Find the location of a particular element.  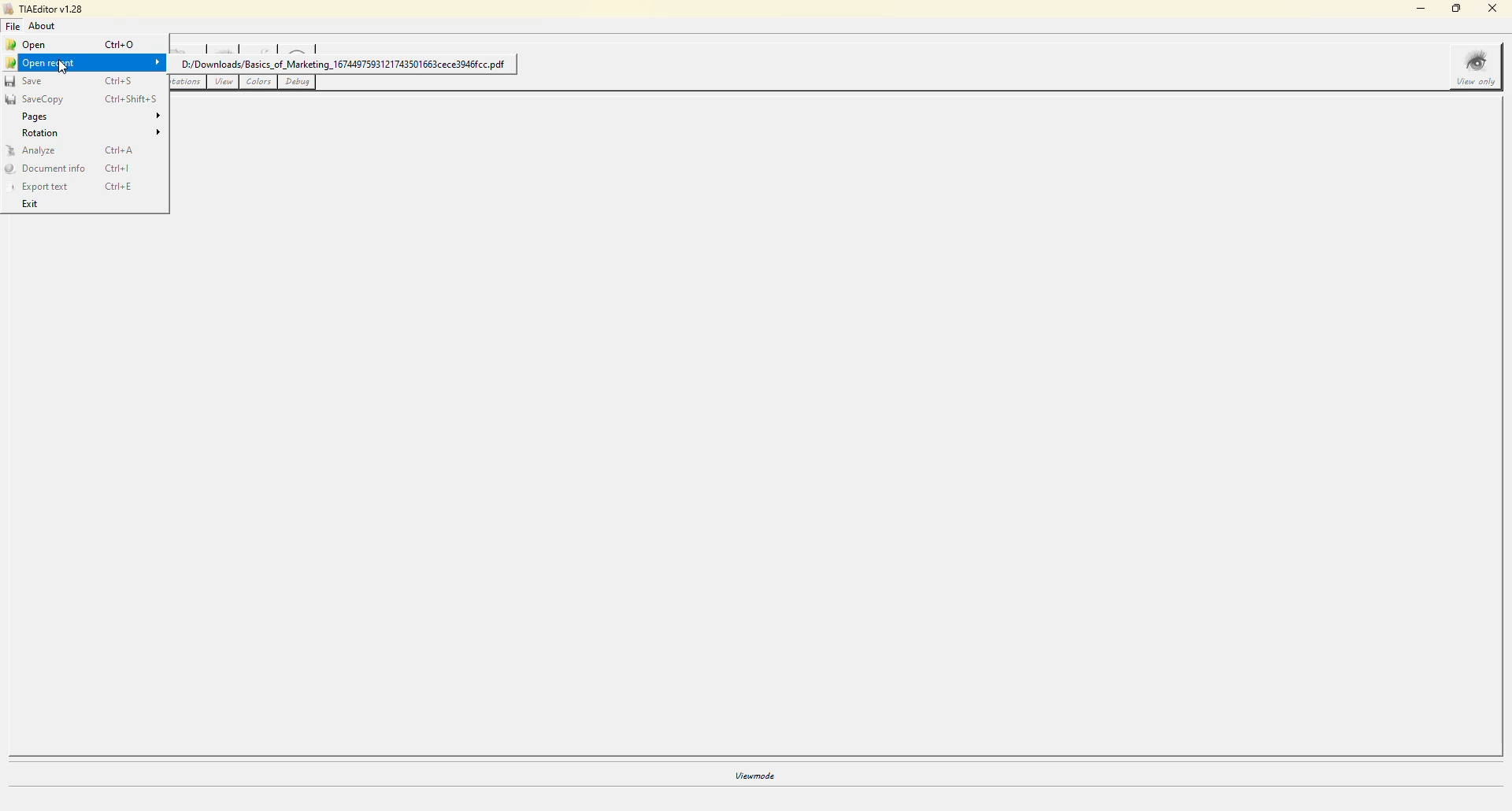

export text is located at coordinates (43, 189).